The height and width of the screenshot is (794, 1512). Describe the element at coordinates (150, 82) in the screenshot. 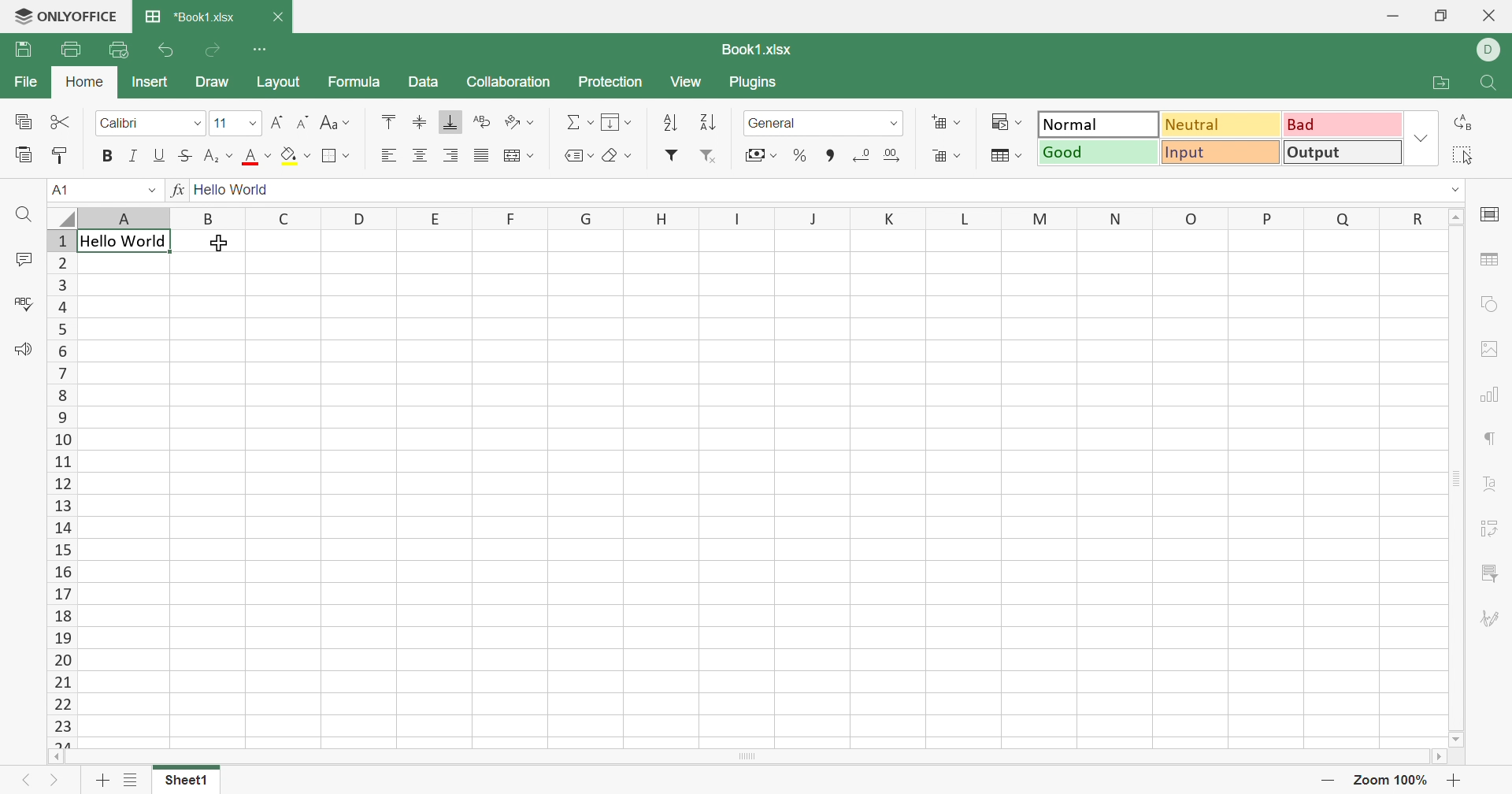

I see `Insert` at that location.